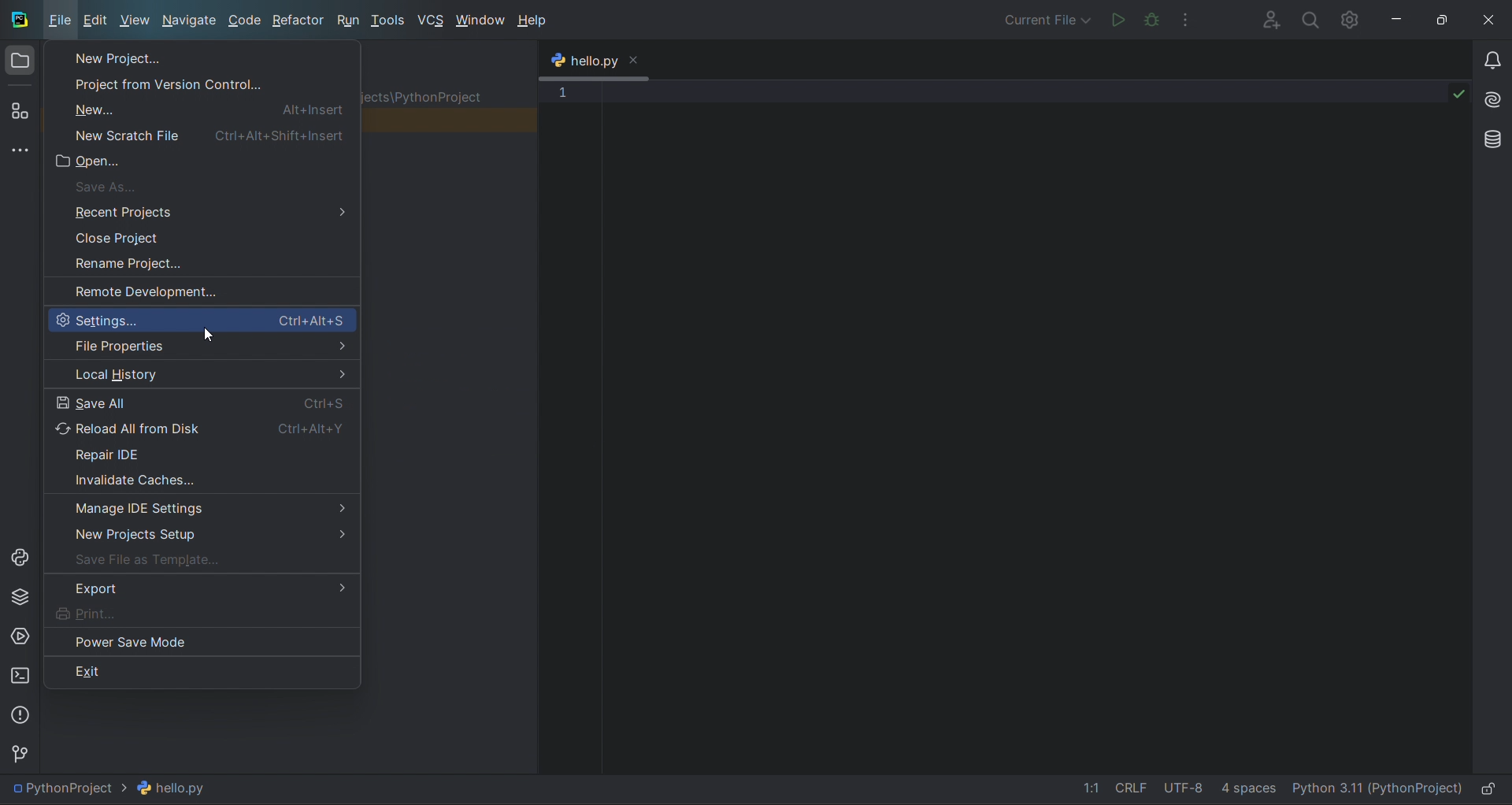 The image size is (1512, 805). I want to click on Save File as template, so click(203, 558).